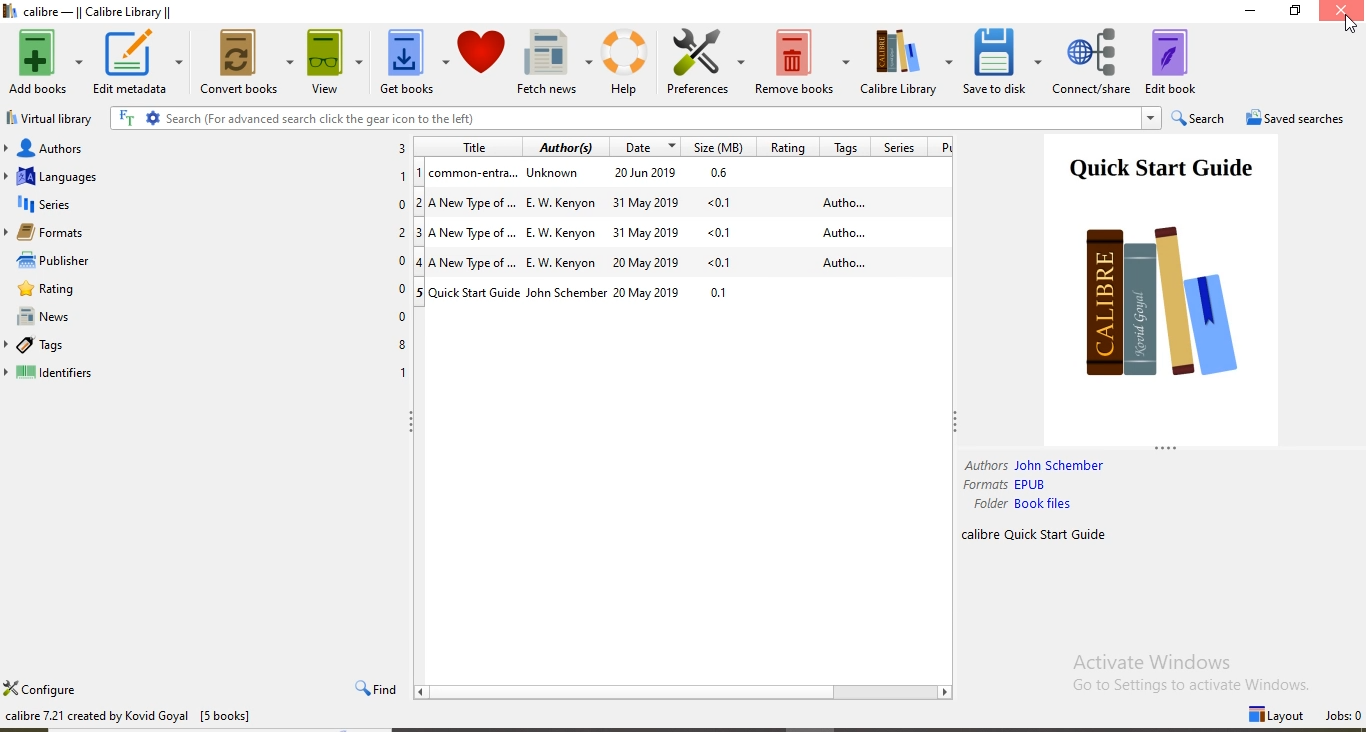 Image resolution: width=1366 pixels, height=732 pixels. What do you see at coordinates (419, 172) in the screenshot?
I see `1` at bounding box center [419, 172].